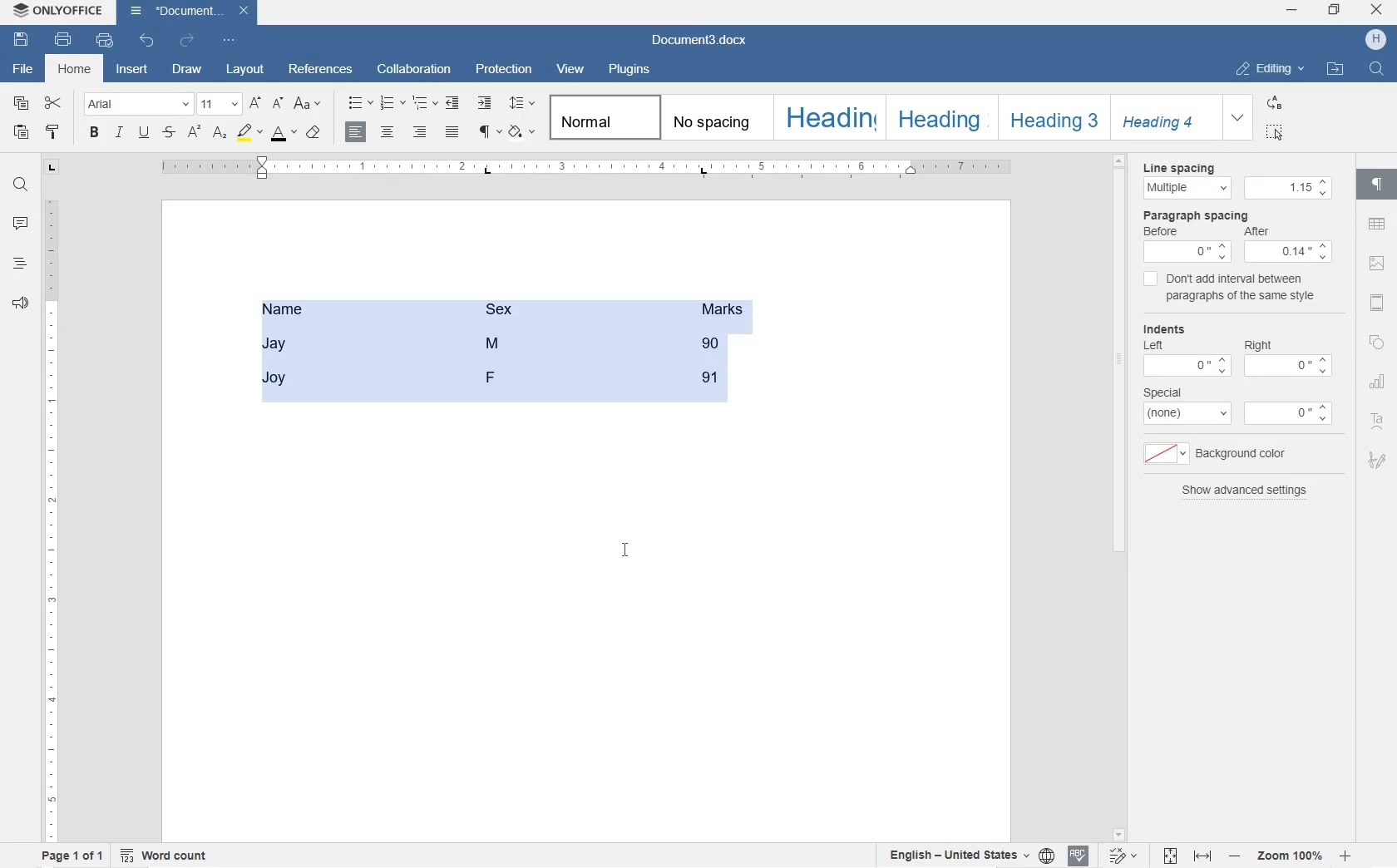 Image resolution: width=1397 pixels, height=868 pixels. What do you see at coordinates (1376, 70) in the screenshot?
I see `FIND` at bounding box center [1376, 70].